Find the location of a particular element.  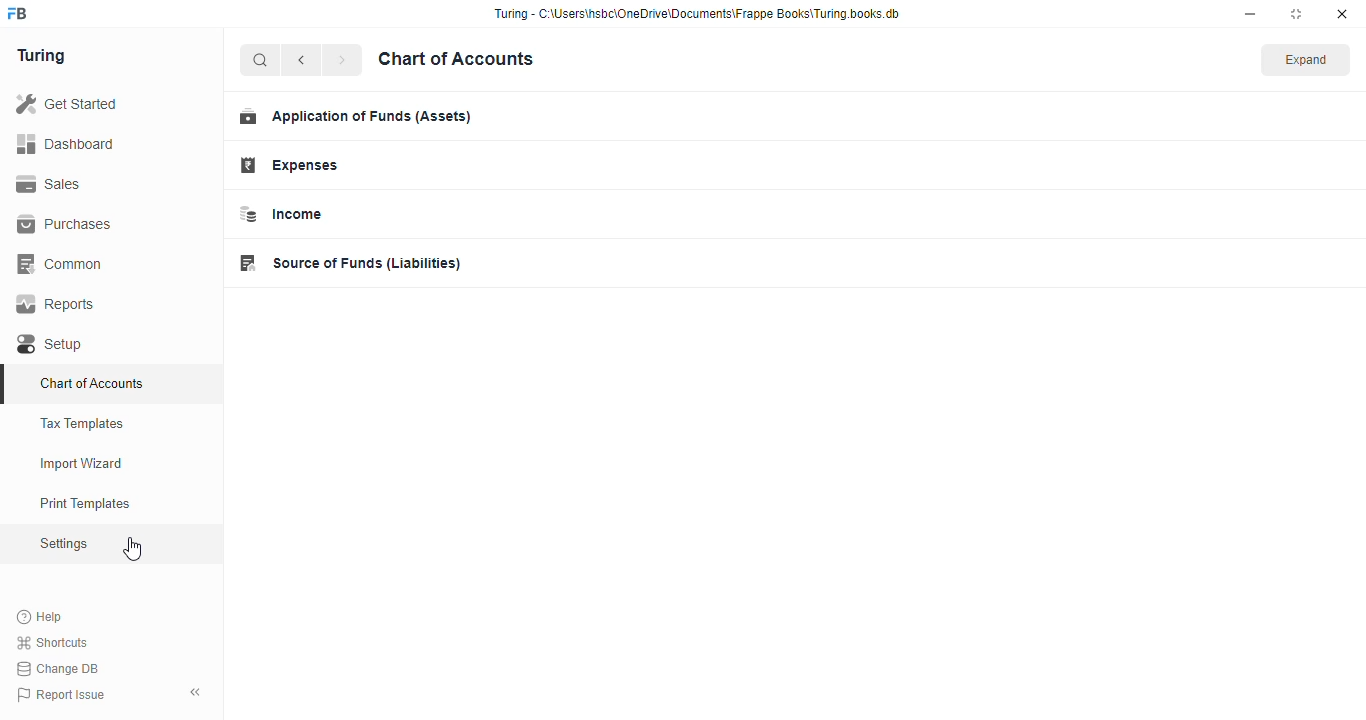

import wizard is located at coordinates (82, 464).